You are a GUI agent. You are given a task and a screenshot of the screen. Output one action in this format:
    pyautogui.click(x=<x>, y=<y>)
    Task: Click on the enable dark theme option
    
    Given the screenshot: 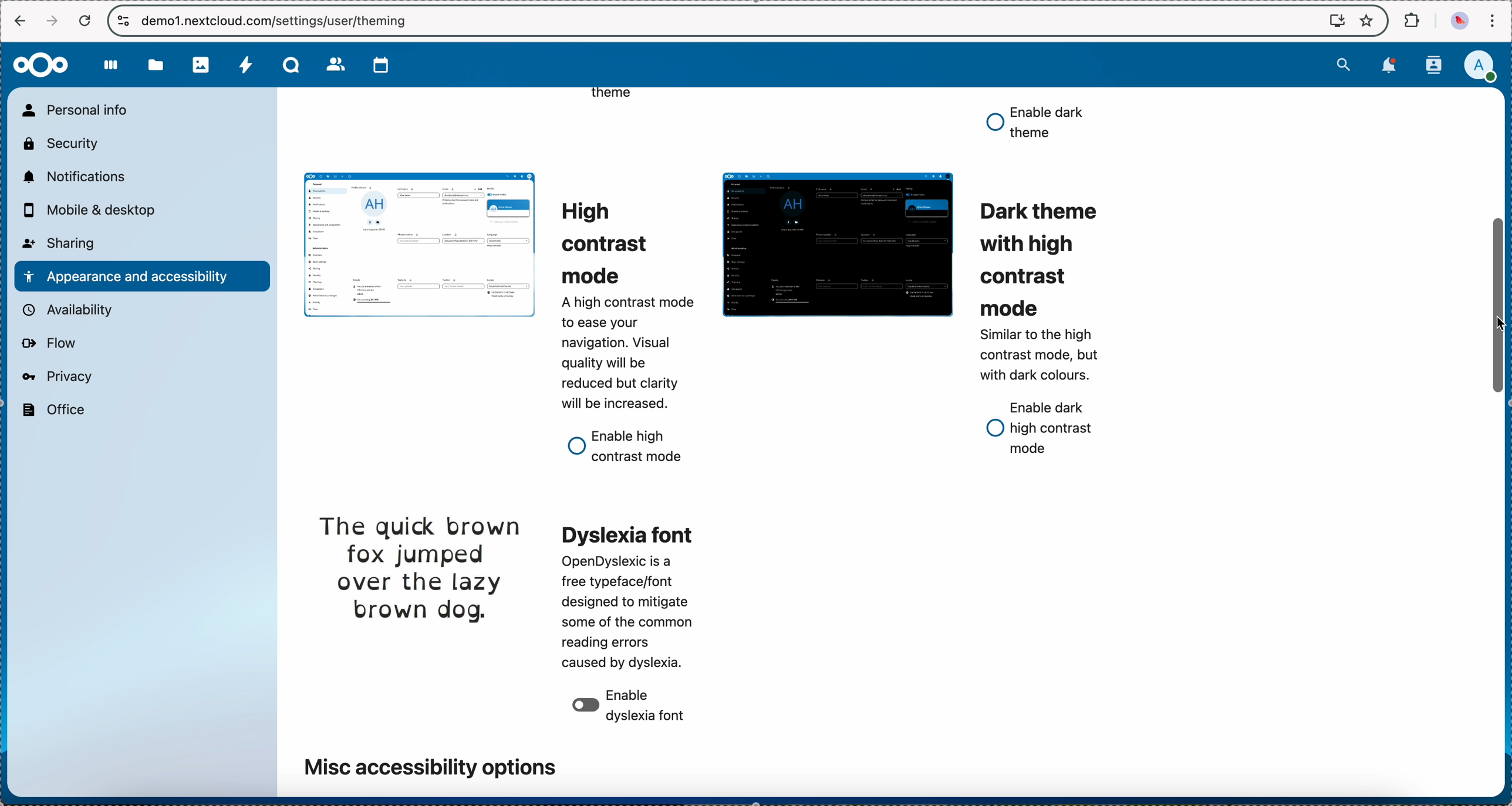 What is the action you would take?
    pyautogui.click(x=1035, y=123)
    